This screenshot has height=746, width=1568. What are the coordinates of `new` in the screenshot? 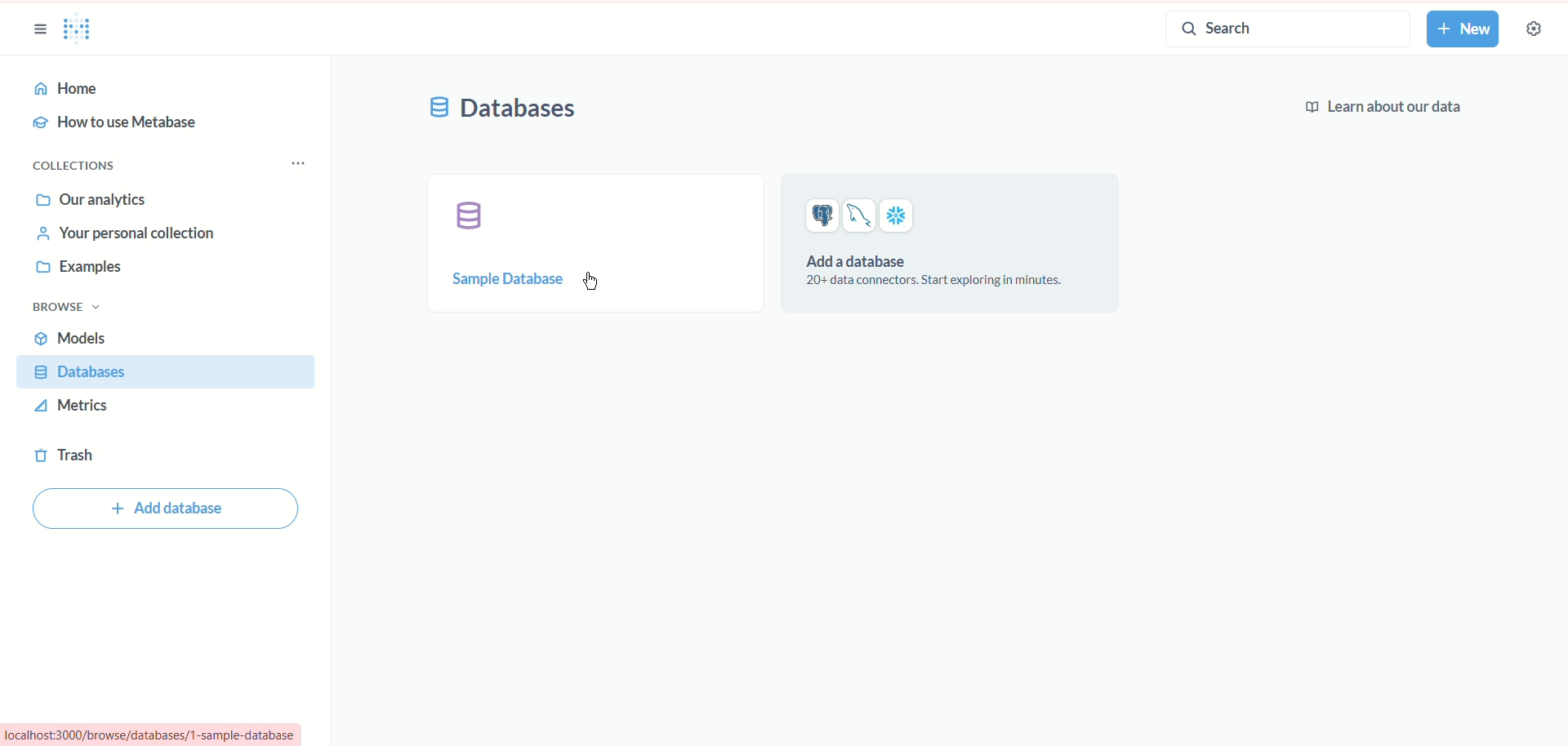 It's located at (1466, 29).